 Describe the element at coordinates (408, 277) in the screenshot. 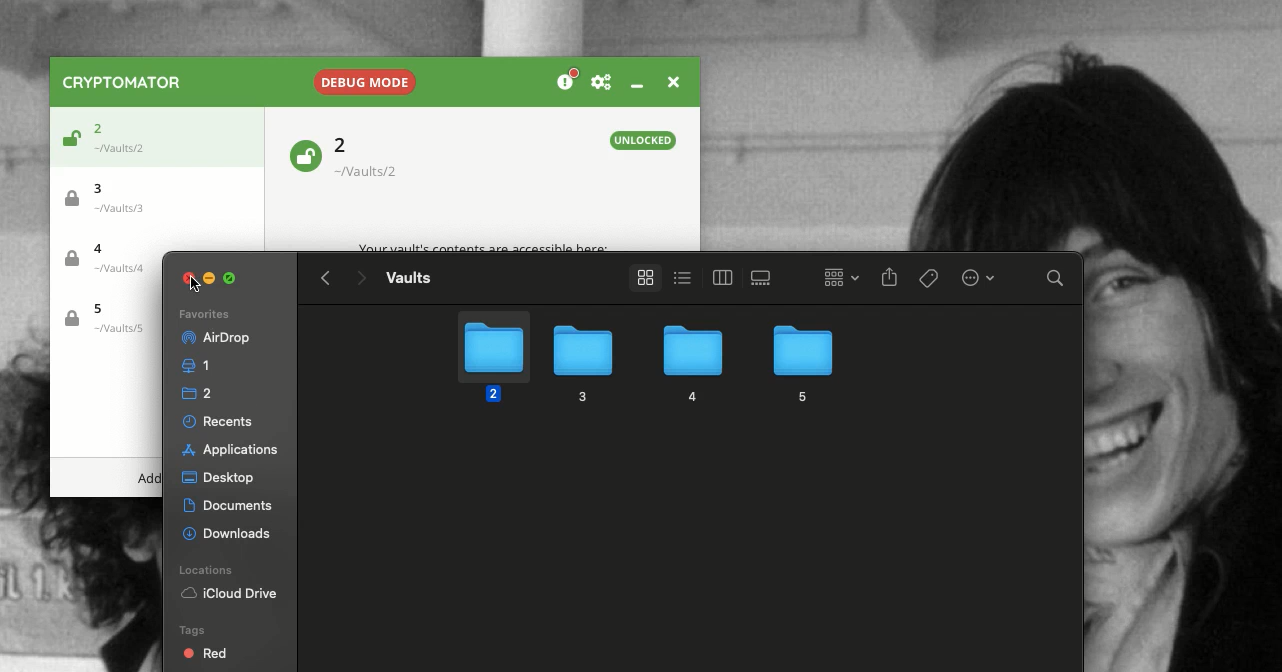

I see `Vaults` at that location.